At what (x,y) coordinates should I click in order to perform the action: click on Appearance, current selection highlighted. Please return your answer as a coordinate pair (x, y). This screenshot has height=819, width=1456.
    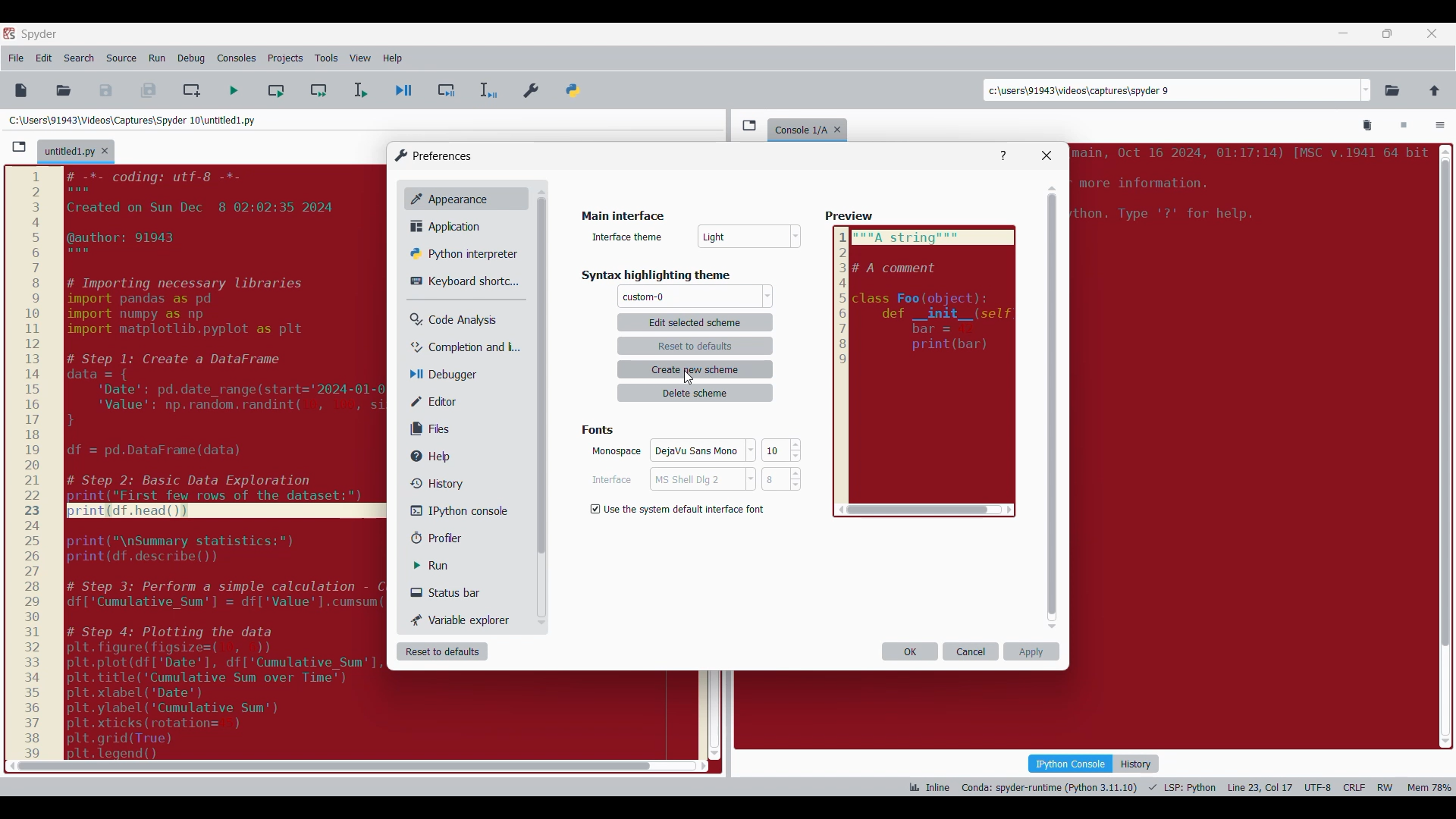
    Looking at the image, I should click on (466, 199).